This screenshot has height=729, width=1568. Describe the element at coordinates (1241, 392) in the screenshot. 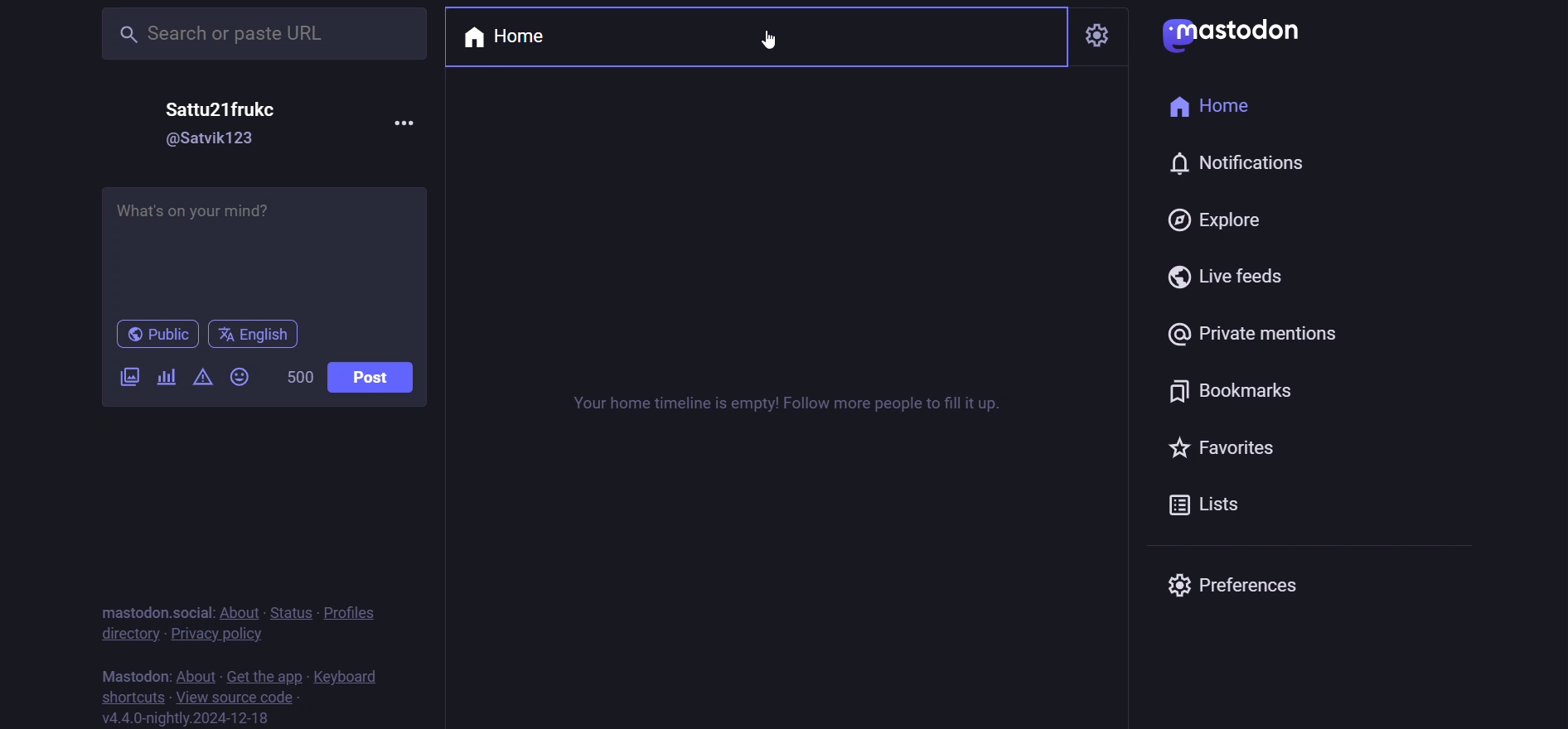

I see `bookmarks` at that location.